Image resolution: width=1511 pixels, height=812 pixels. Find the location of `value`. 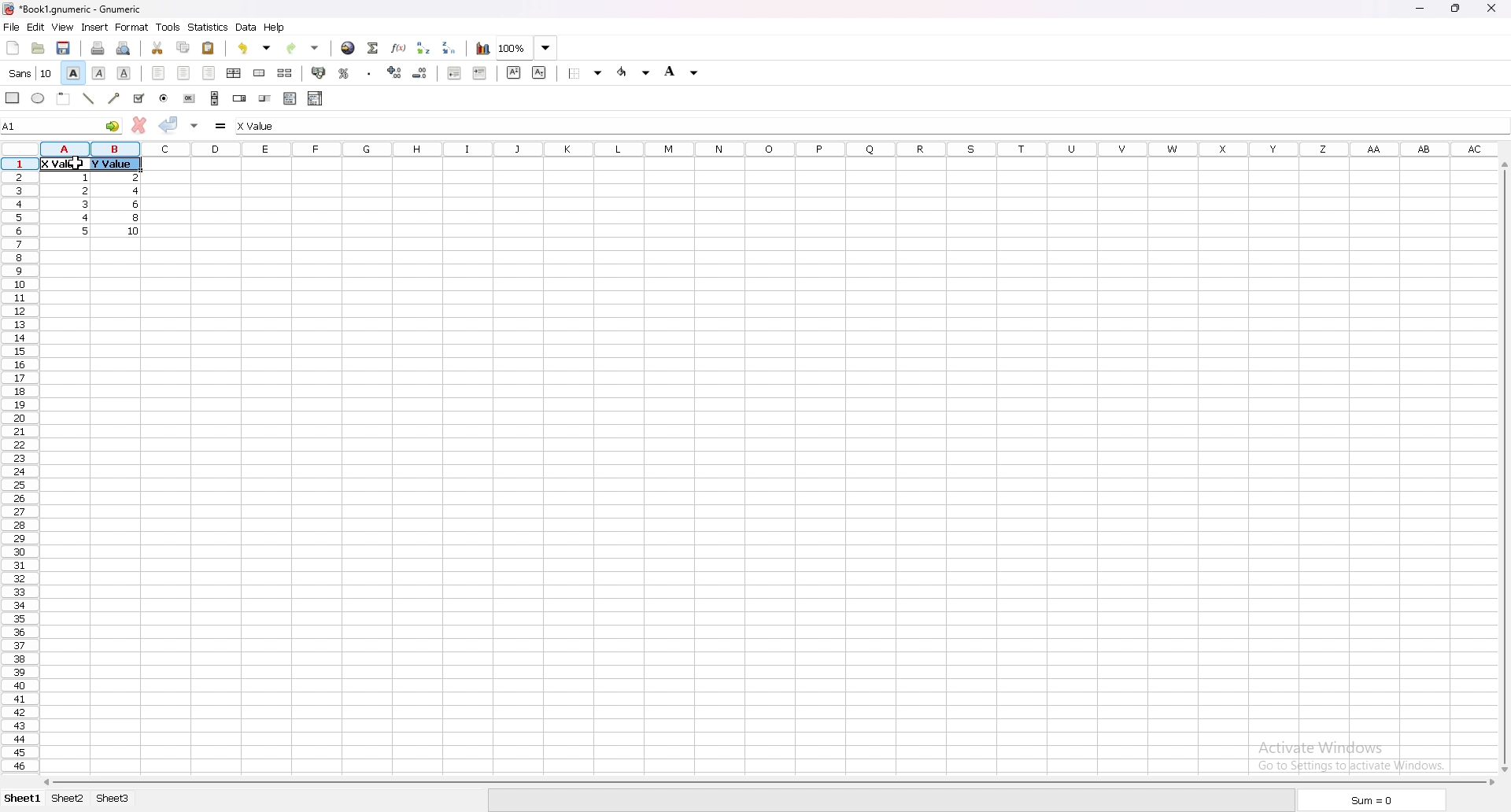

value is located at coordinates (136, 204).